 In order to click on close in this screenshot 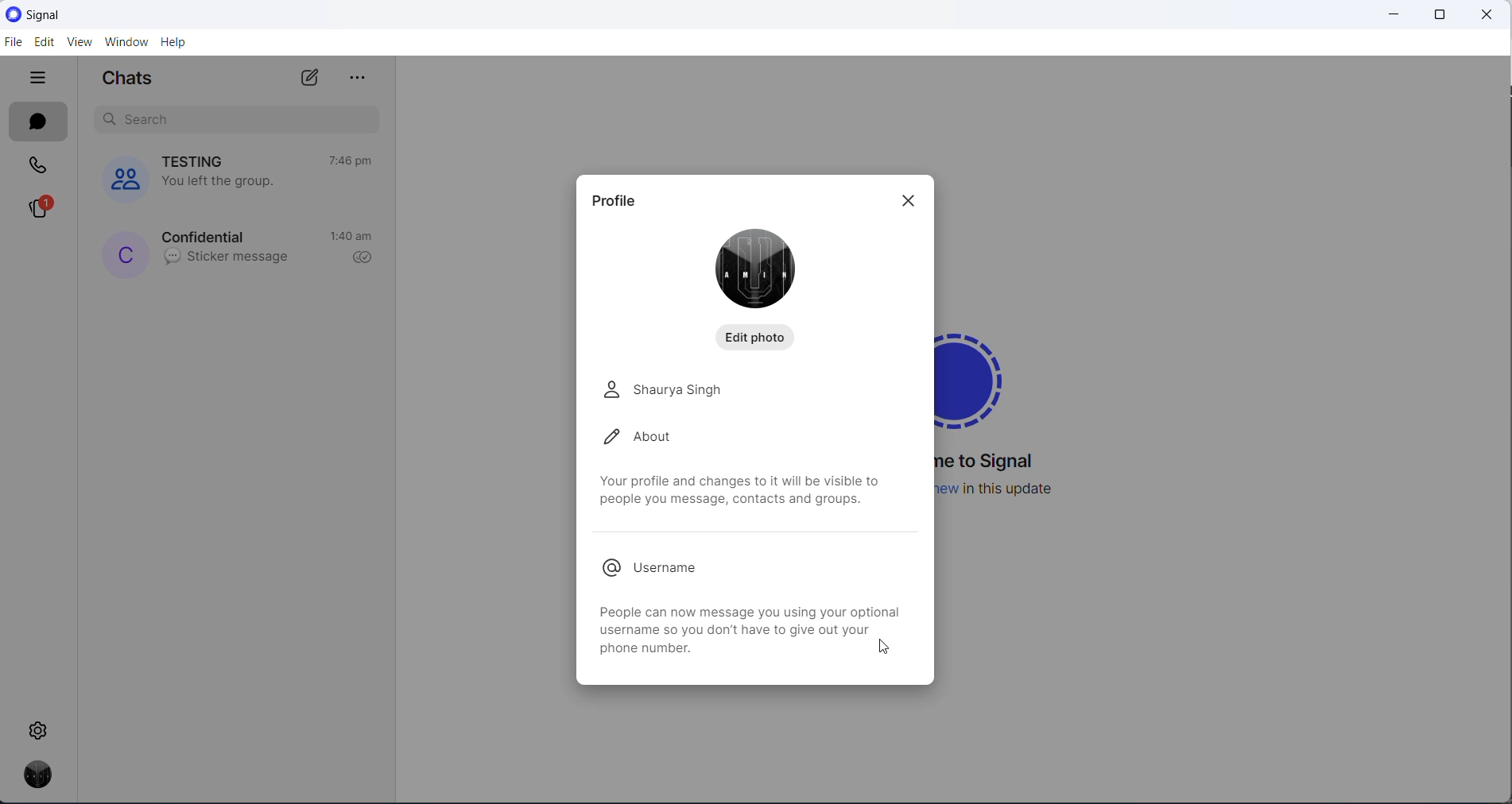, I will do `click(912, 204)`.